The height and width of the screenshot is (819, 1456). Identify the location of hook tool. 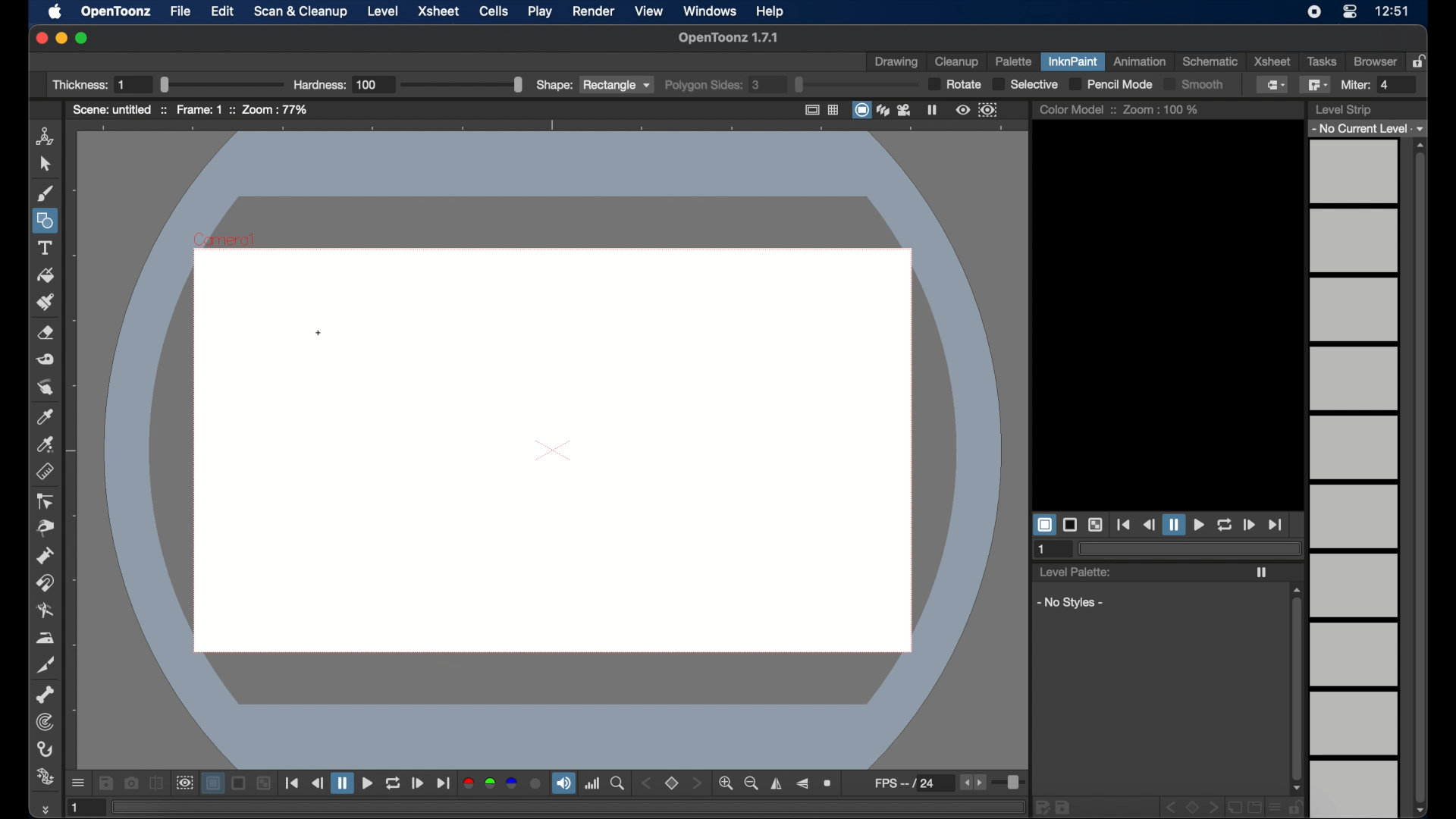
(45, 749).